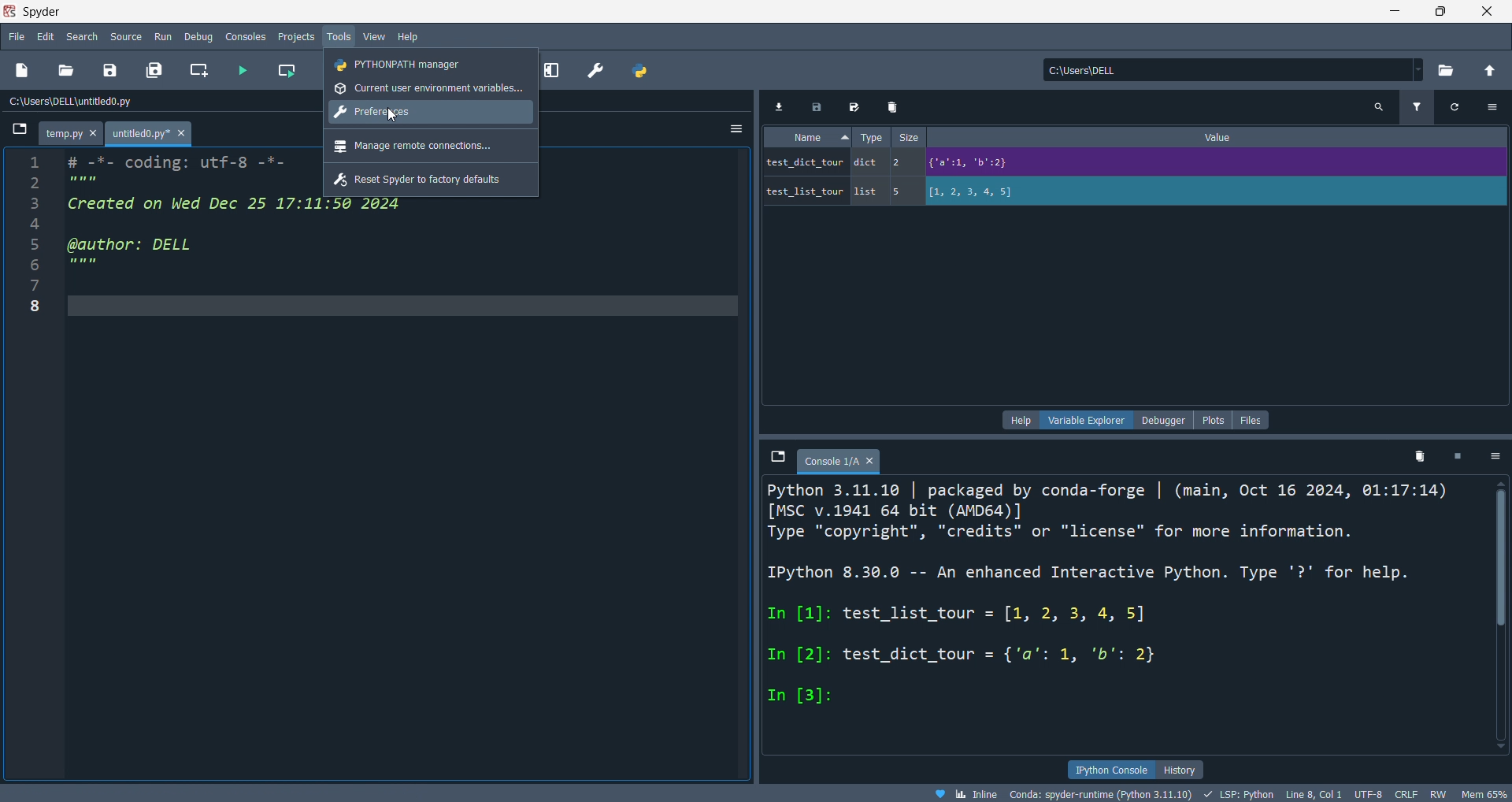  I want to click on python path manager, so click(642, 72).